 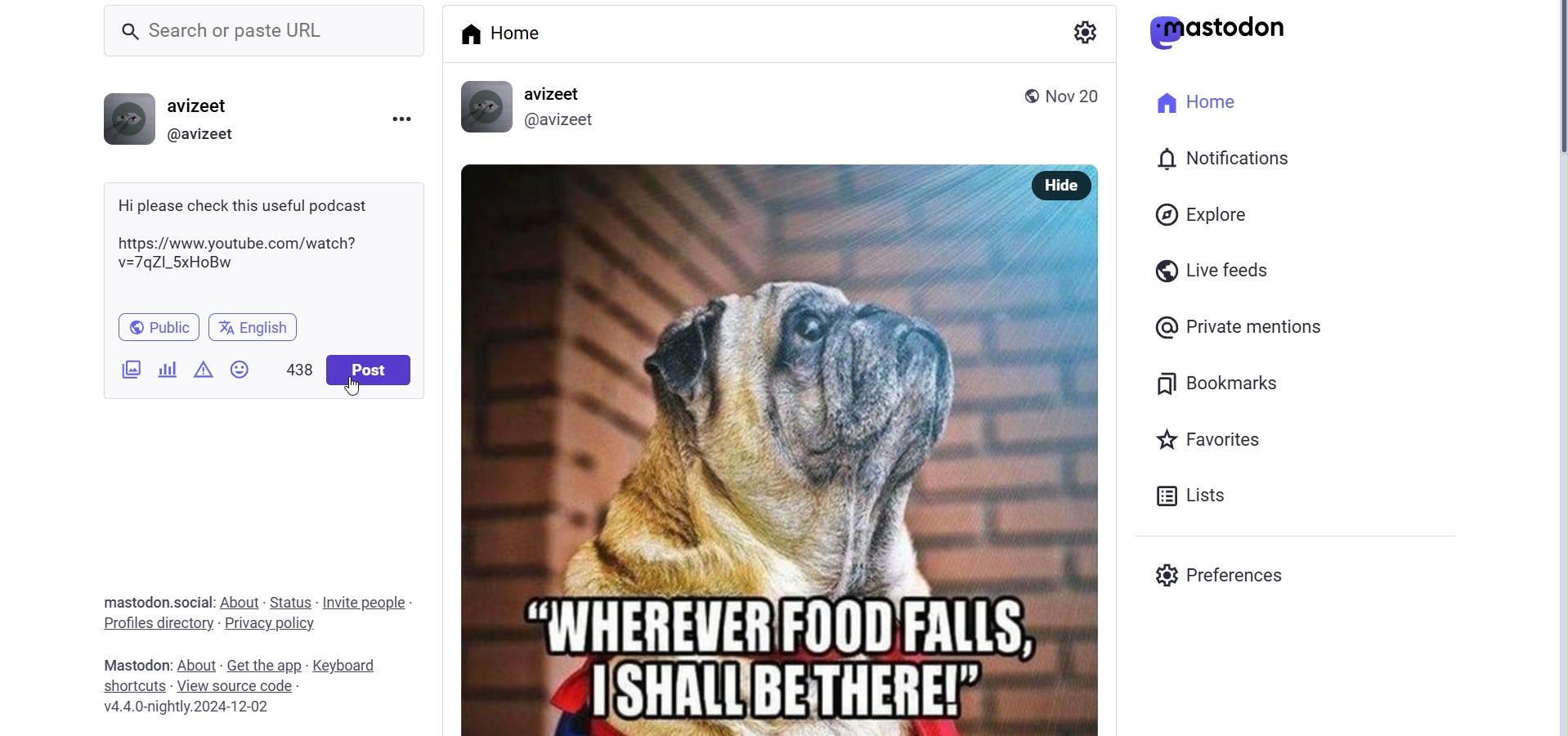 What do you see at coordinates (562, 120) in the screenshot?
I see `@avizeet` at bounding box center [562, 120].